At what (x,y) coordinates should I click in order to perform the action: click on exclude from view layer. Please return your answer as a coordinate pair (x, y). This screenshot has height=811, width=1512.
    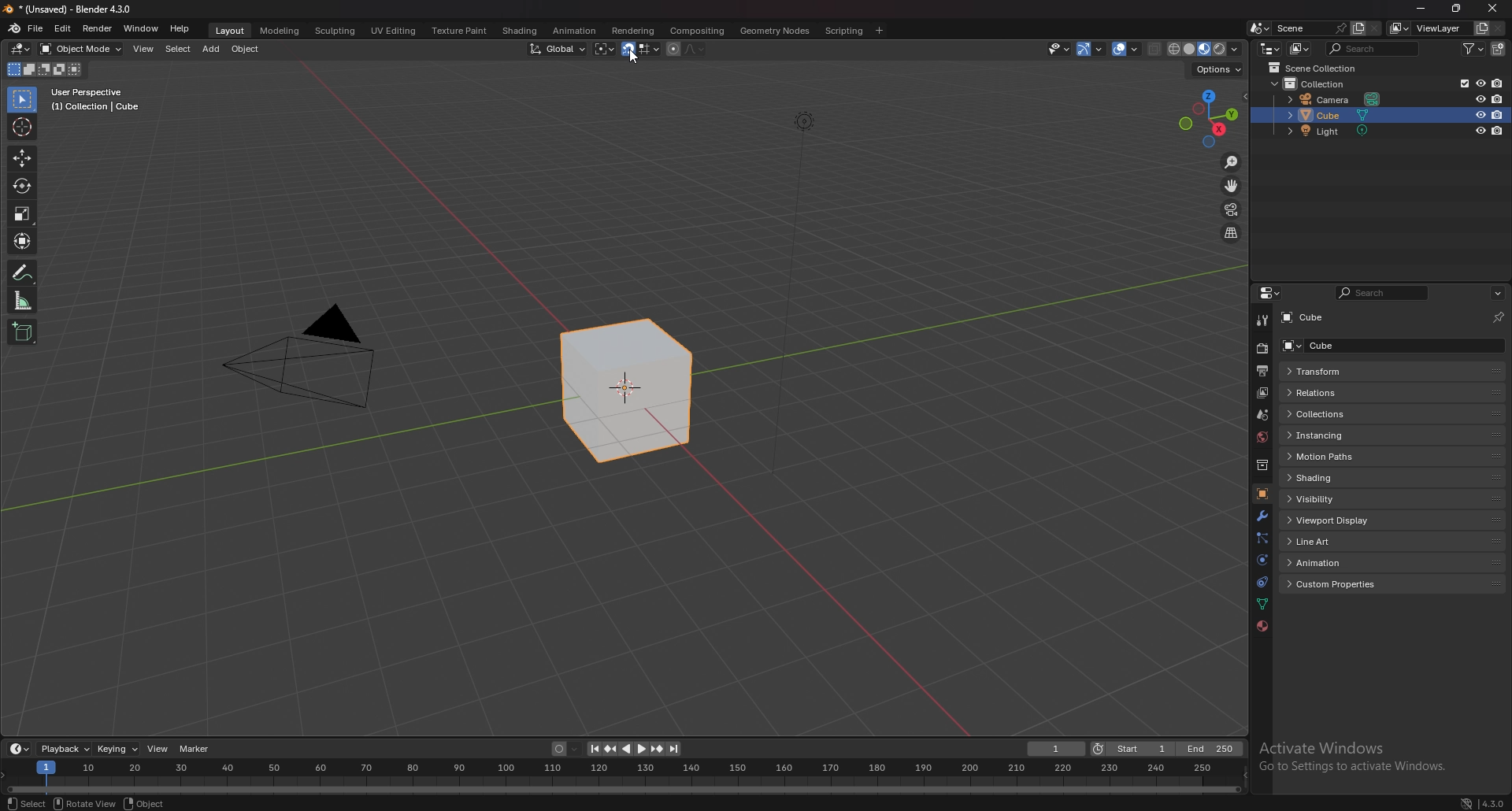
    Looking at the image, I should click on (1461, 83).